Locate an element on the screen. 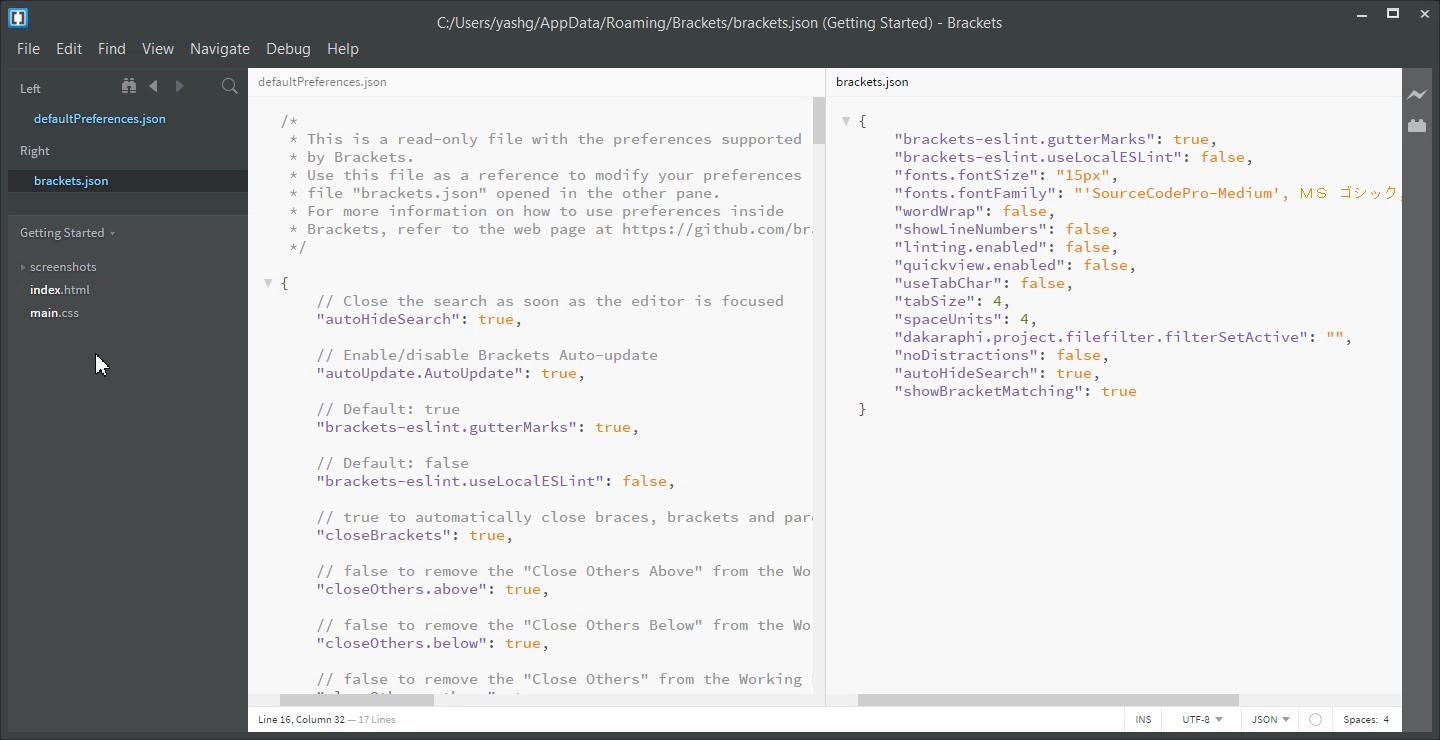 This screenshot has height=740, width=1440. Split the editor vertically or Horizontally is located at coordinates (204, 86).